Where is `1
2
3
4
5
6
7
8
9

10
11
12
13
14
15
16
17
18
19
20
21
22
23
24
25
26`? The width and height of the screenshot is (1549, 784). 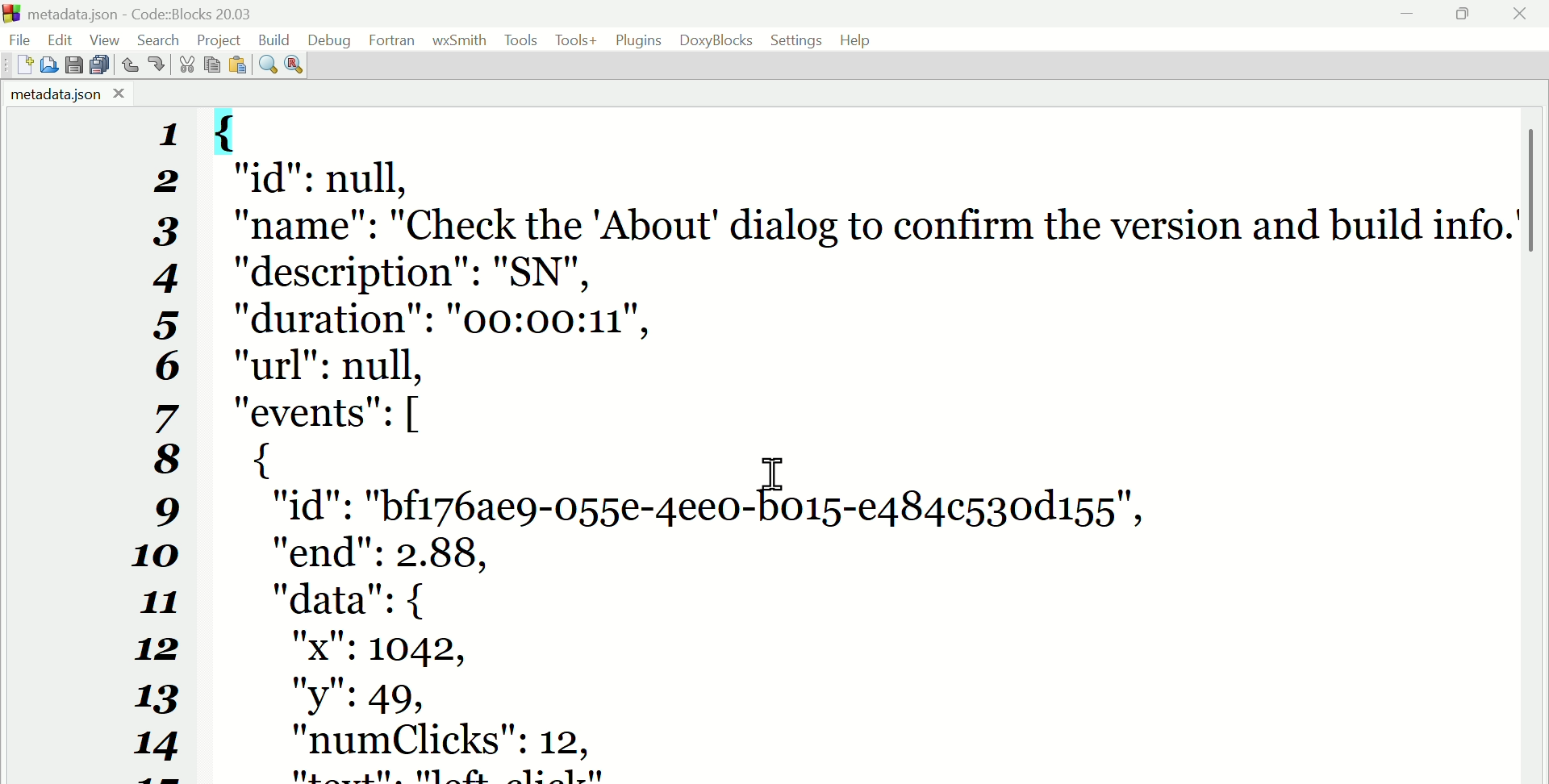
1
2
3
4
5
6
7
8
9

10
11
12
13
14
15
16
17
18
19
20
21
22
23
24
25
26 is located at coordinates (162, 446).